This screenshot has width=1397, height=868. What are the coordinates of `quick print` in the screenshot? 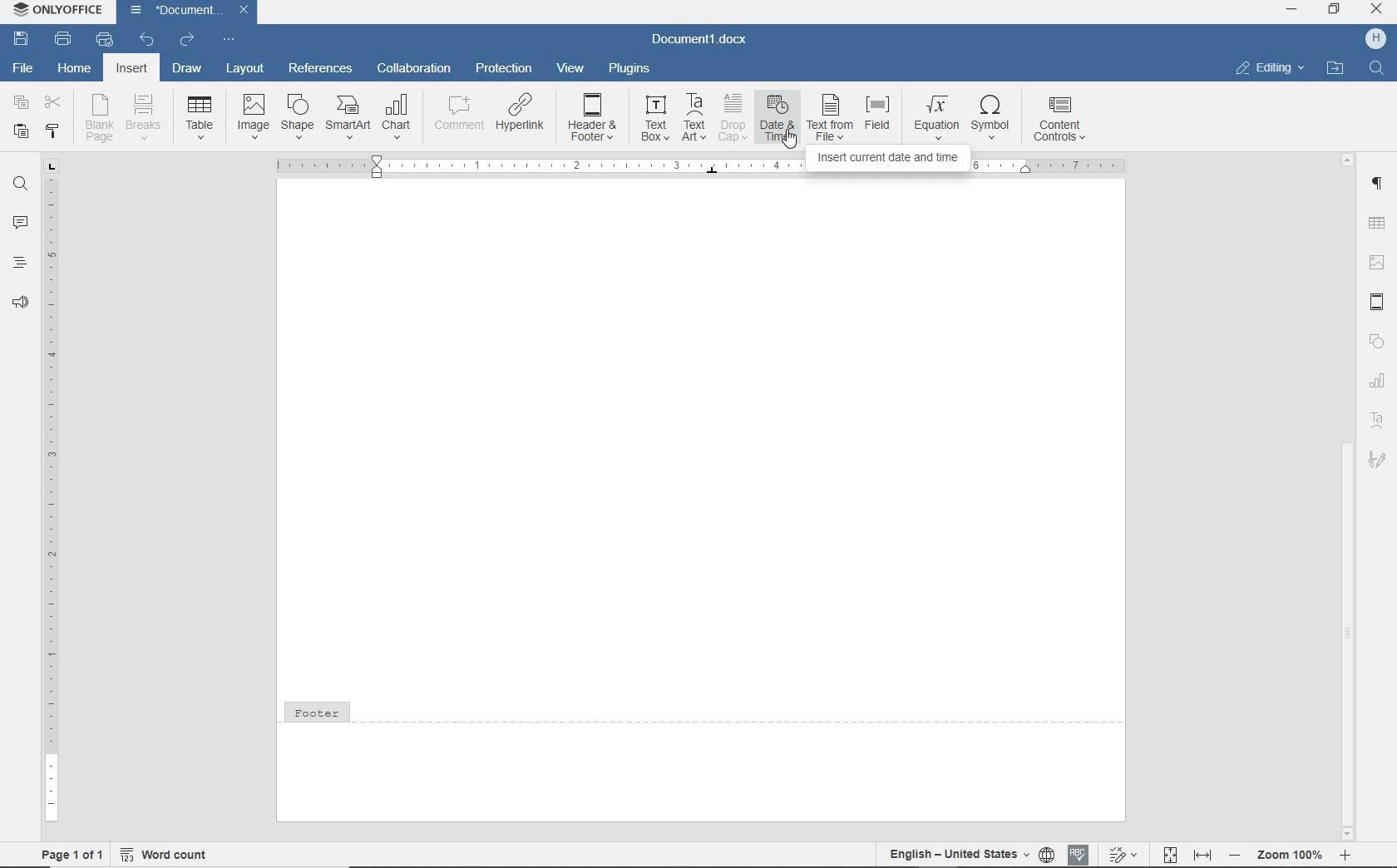 It's located at (106, 41).